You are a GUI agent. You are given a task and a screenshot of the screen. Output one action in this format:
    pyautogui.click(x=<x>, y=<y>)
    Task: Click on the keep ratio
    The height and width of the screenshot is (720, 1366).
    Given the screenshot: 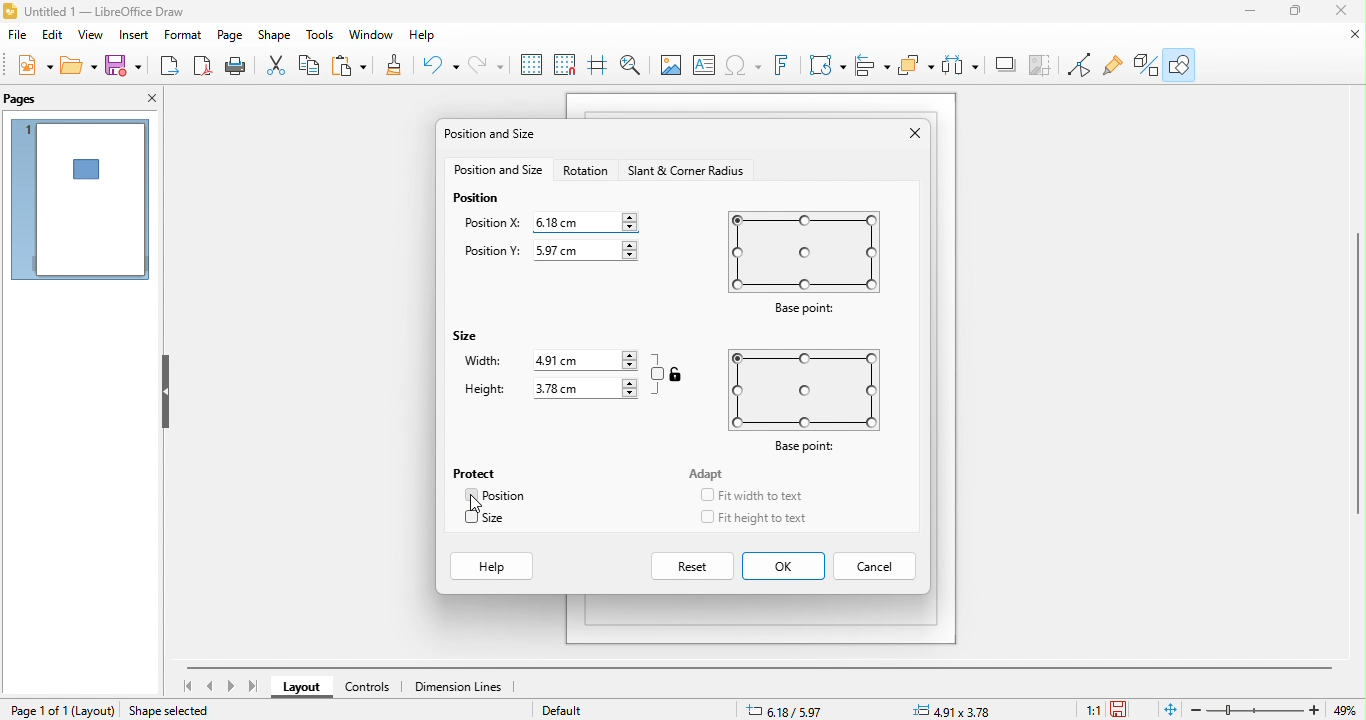 What is the action you would take?
    pyautogui.click(x=658, y=373)
    